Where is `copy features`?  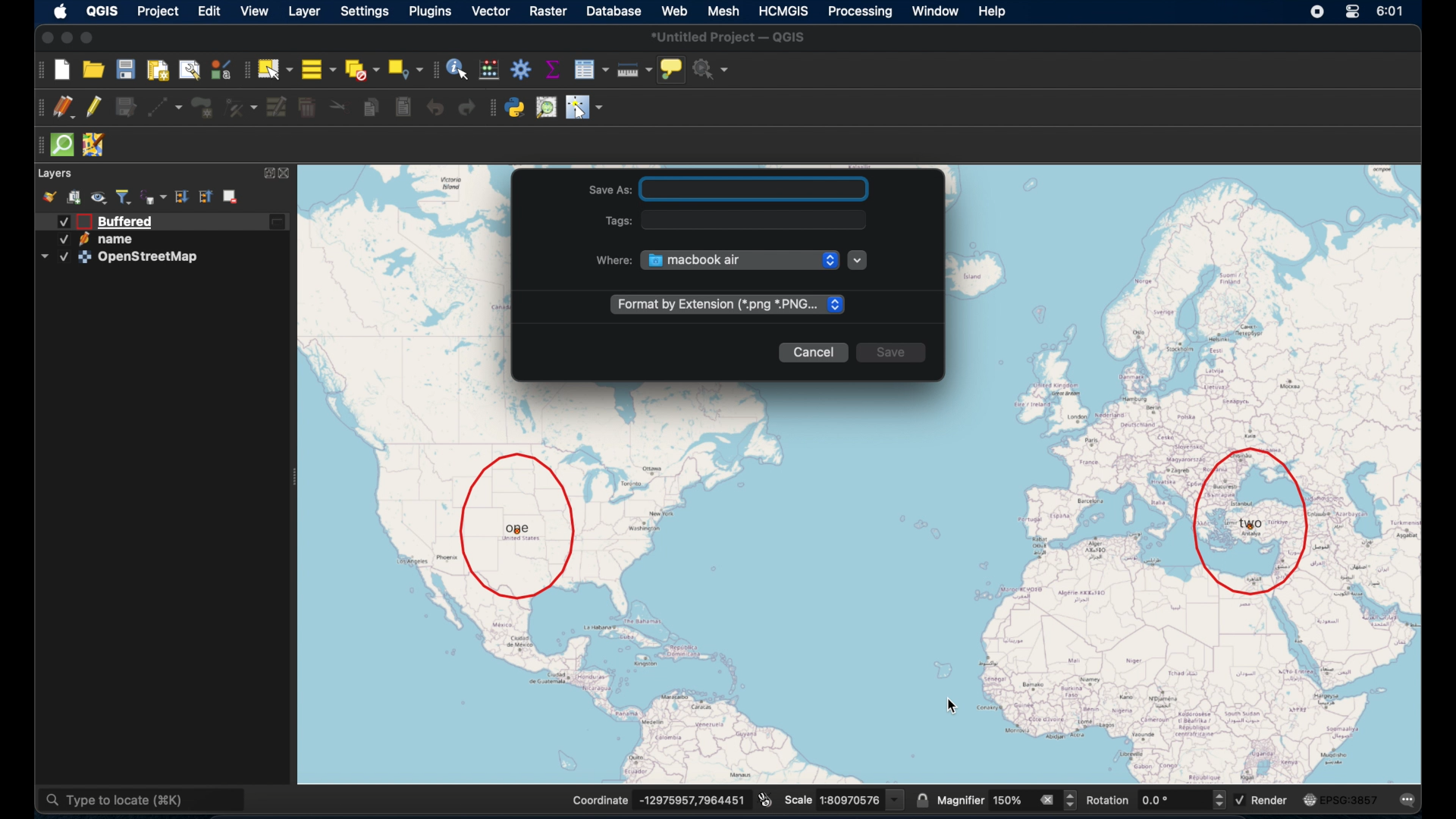 copy features is located at coordinates (371, 108).